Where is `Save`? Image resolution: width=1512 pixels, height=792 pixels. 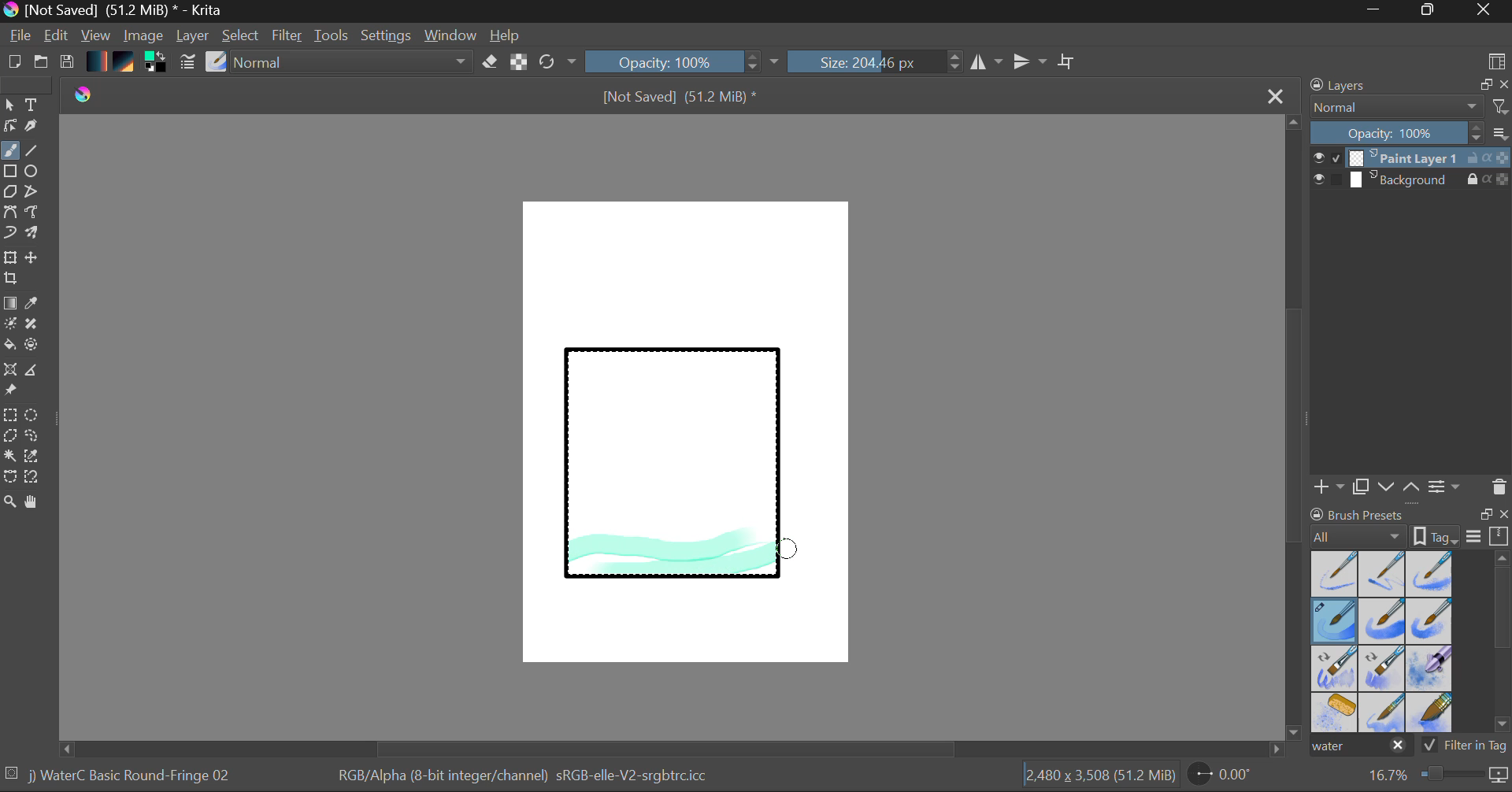
Save is located at coordinates (66, 63).